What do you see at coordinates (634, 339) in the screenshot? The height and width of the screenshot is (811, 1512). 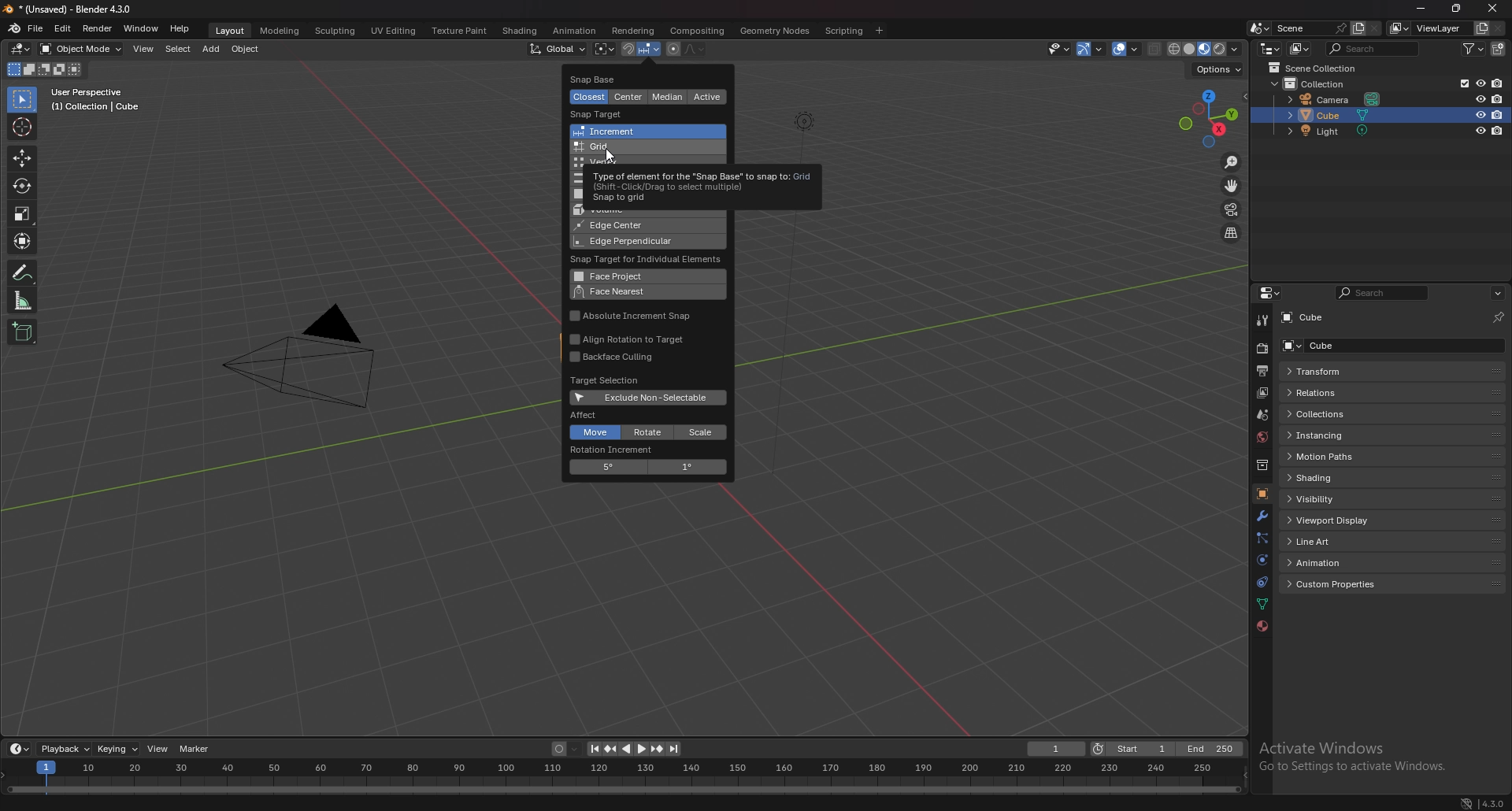 I see `align rotation` at bounding box center [634, 339].